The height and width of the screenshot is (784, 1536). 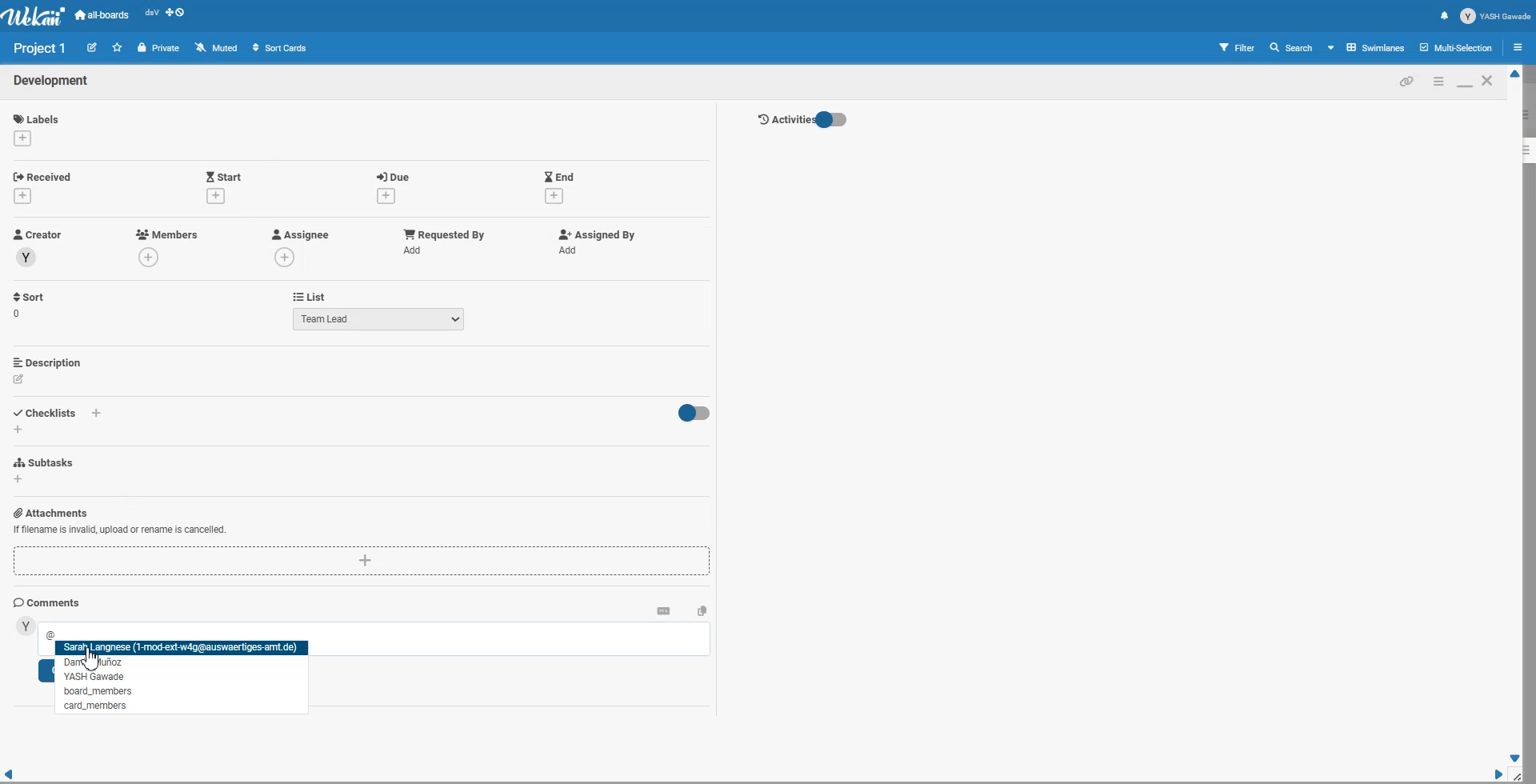 What do you see at coordinates (181, 648) in the screenshot?
I see `tag People` at bounding box center [181, 648].